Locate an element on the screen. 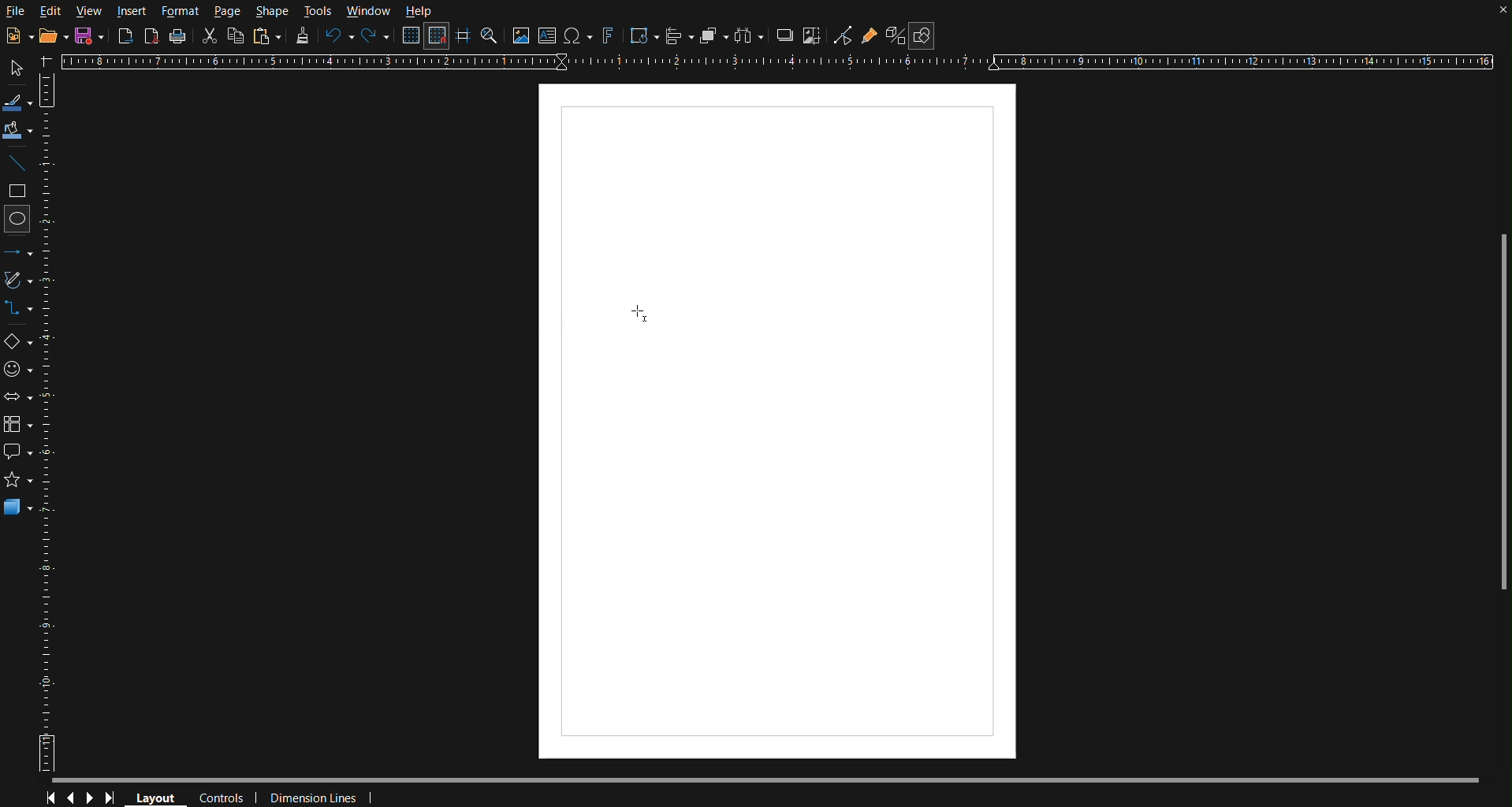  Help is located at coordinates (418, 12).